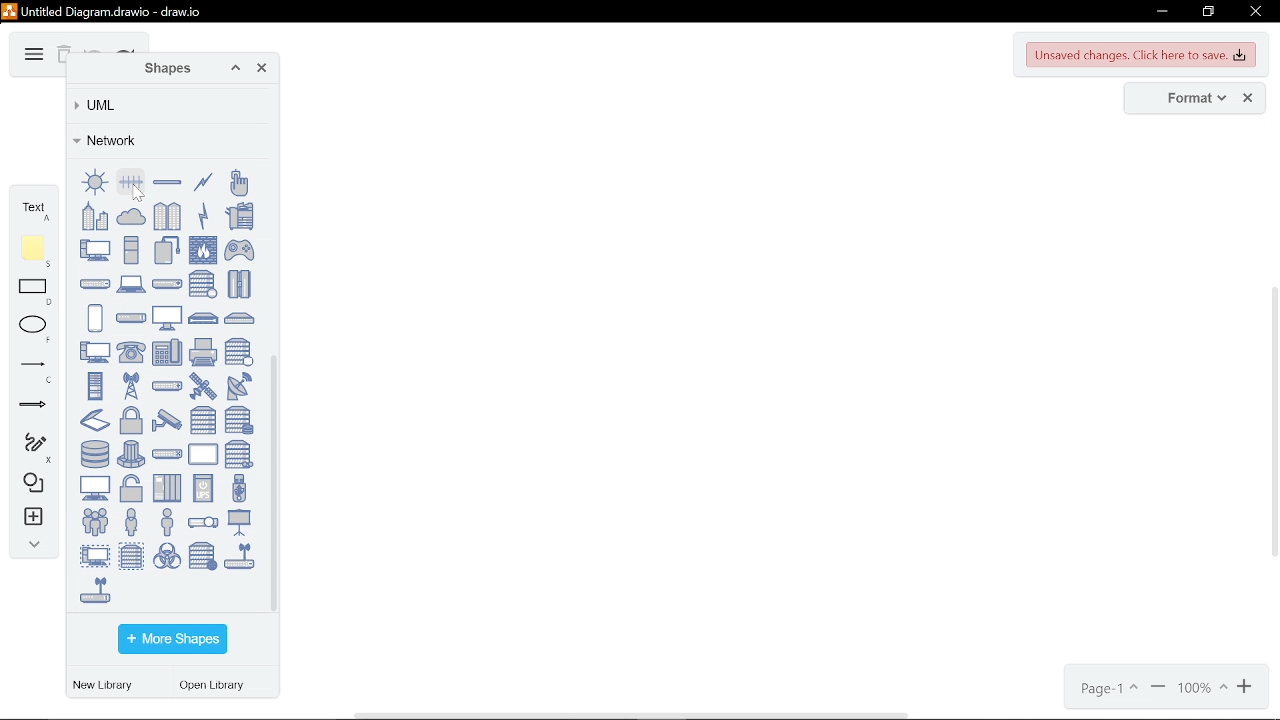 The image size is (1280, 720). I want to click on desktop PC, so click(131, 249).